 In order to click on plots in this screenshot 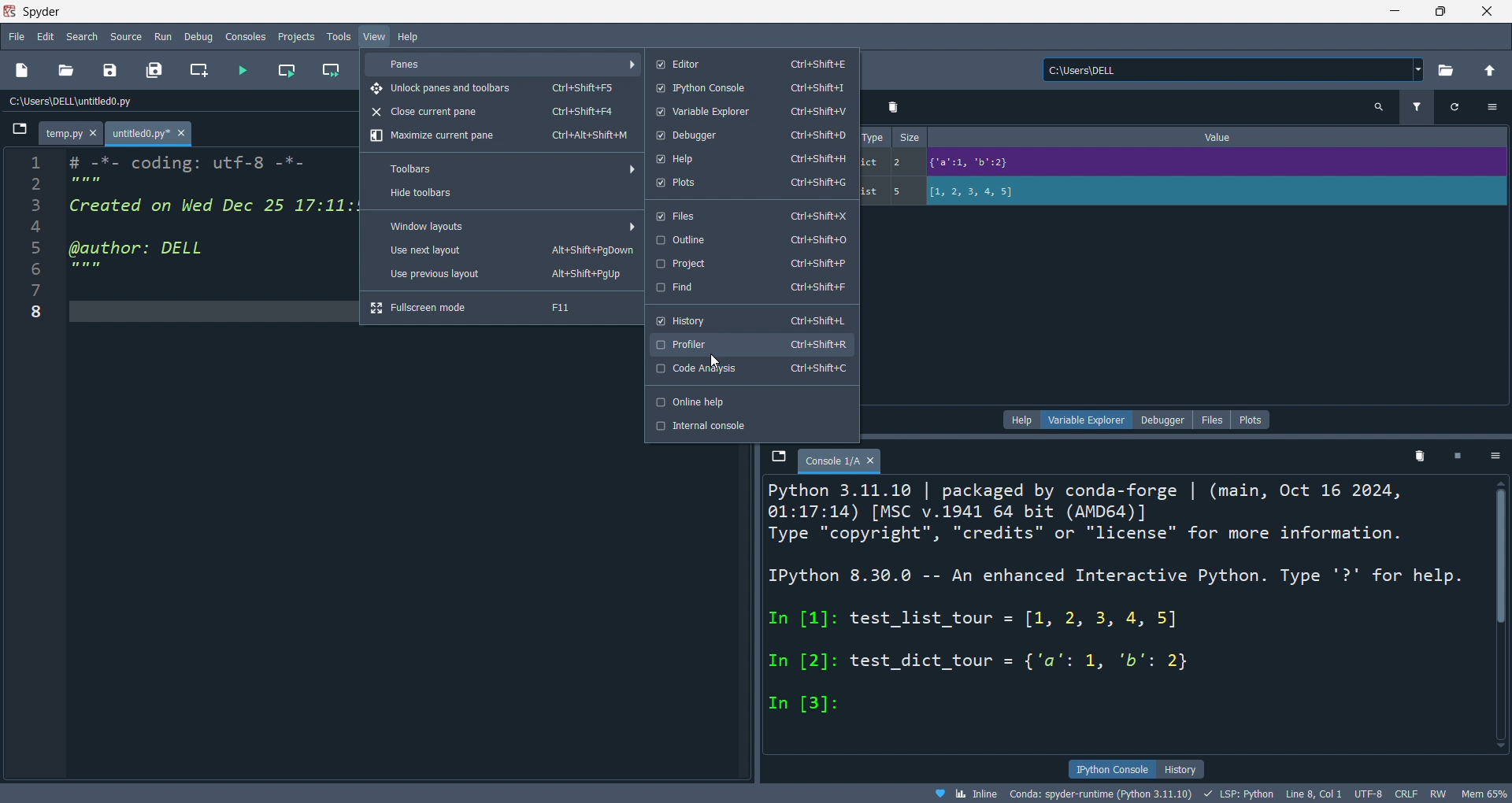, I will do `click(1250, 420)`.